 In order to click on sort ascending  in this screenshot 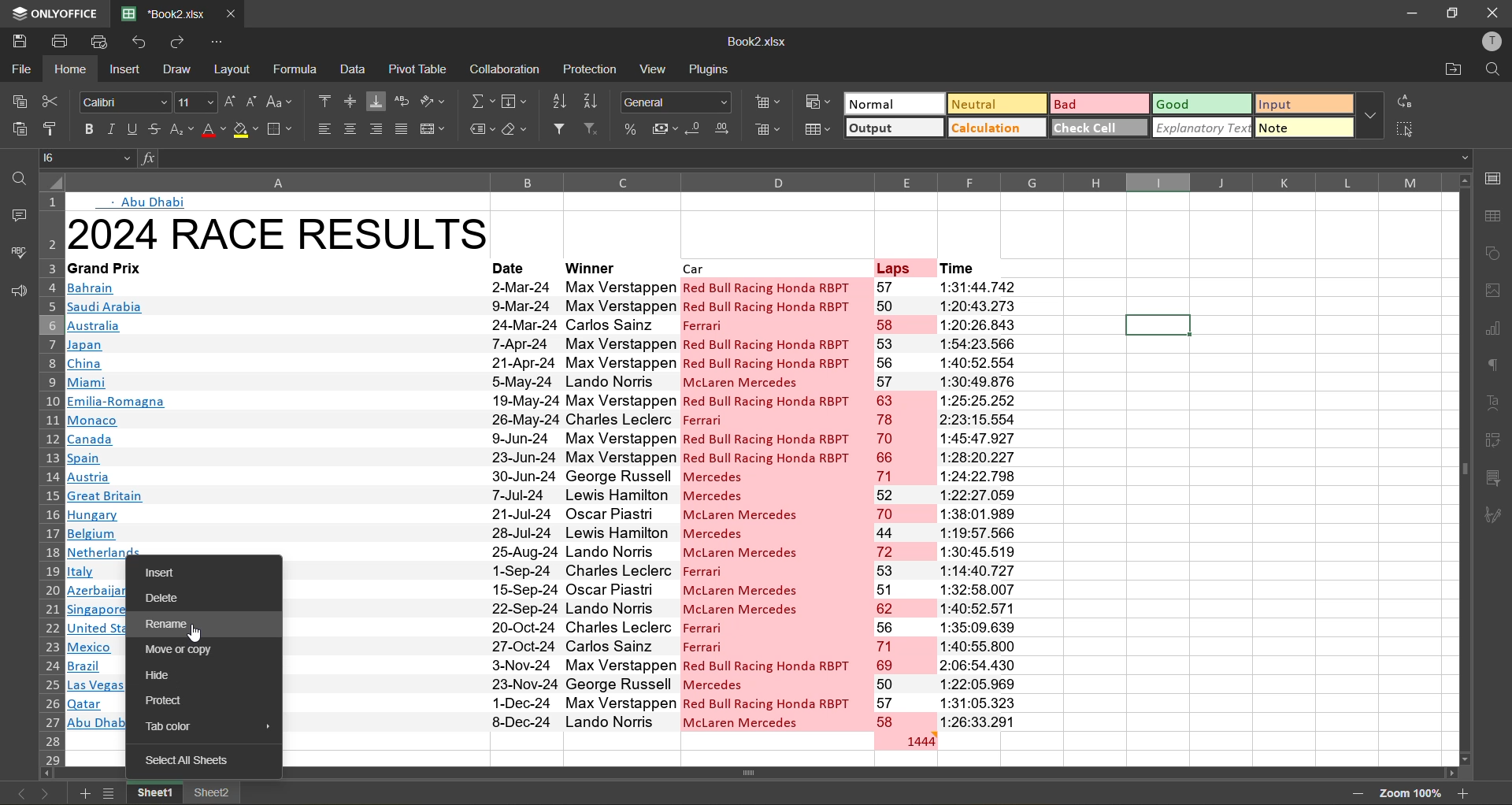, I will do `click(564, 103)`.